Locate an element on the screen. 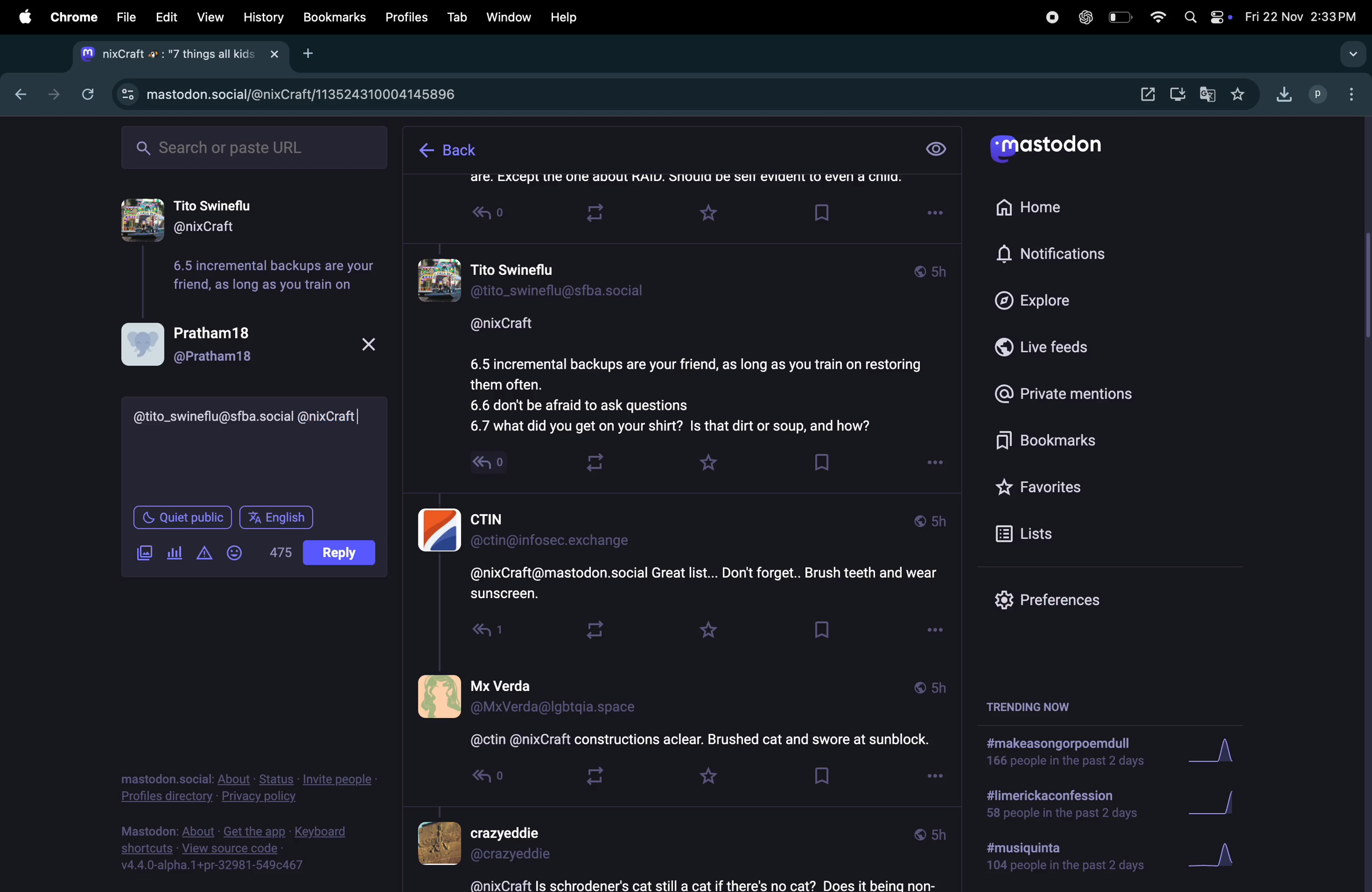  Tito Swineflu @nixCraft is located at coordinates (242, 216).